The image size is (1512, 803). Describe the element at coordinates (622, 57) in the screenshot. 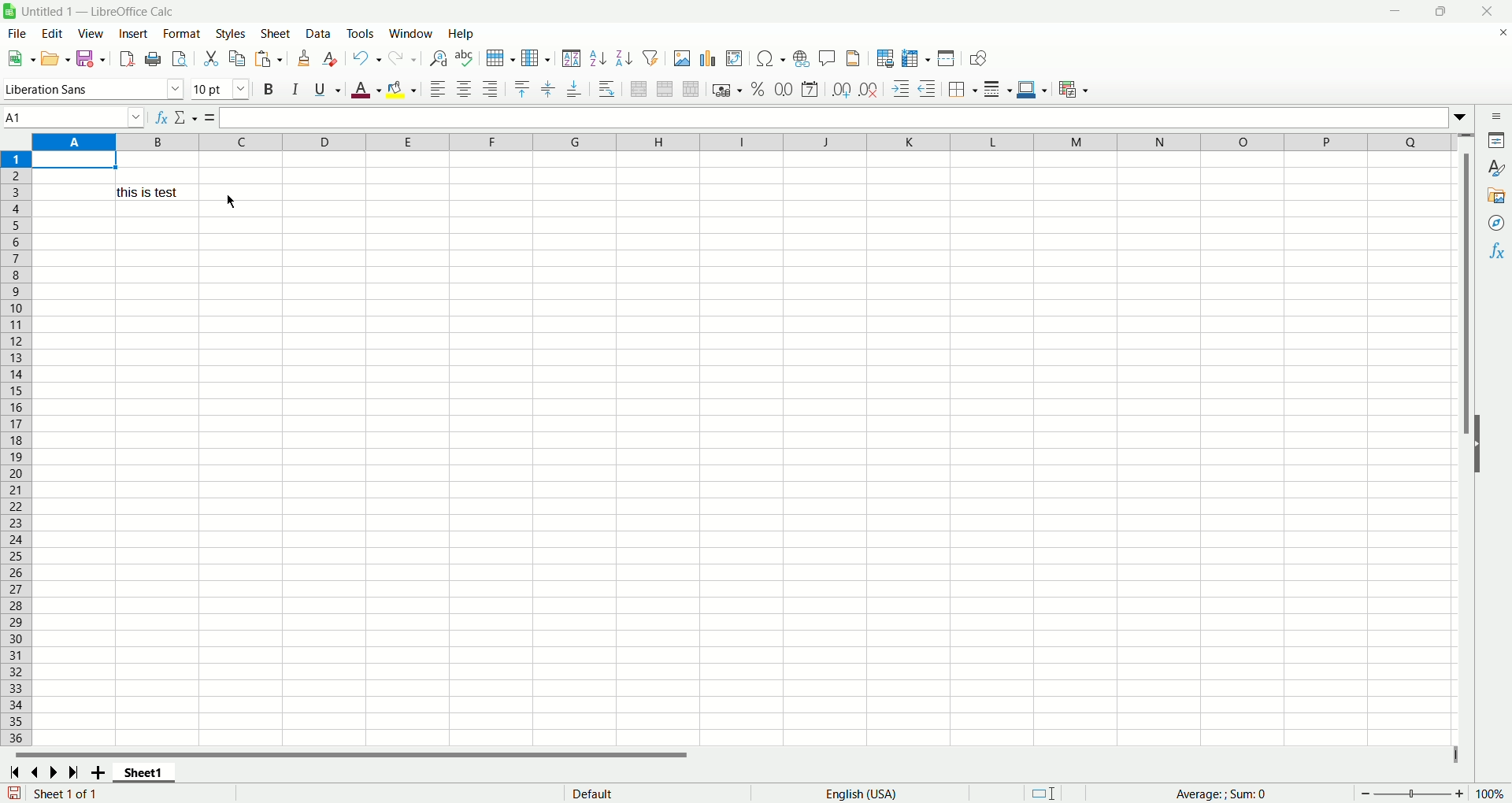

I see `sort descending` at that location.